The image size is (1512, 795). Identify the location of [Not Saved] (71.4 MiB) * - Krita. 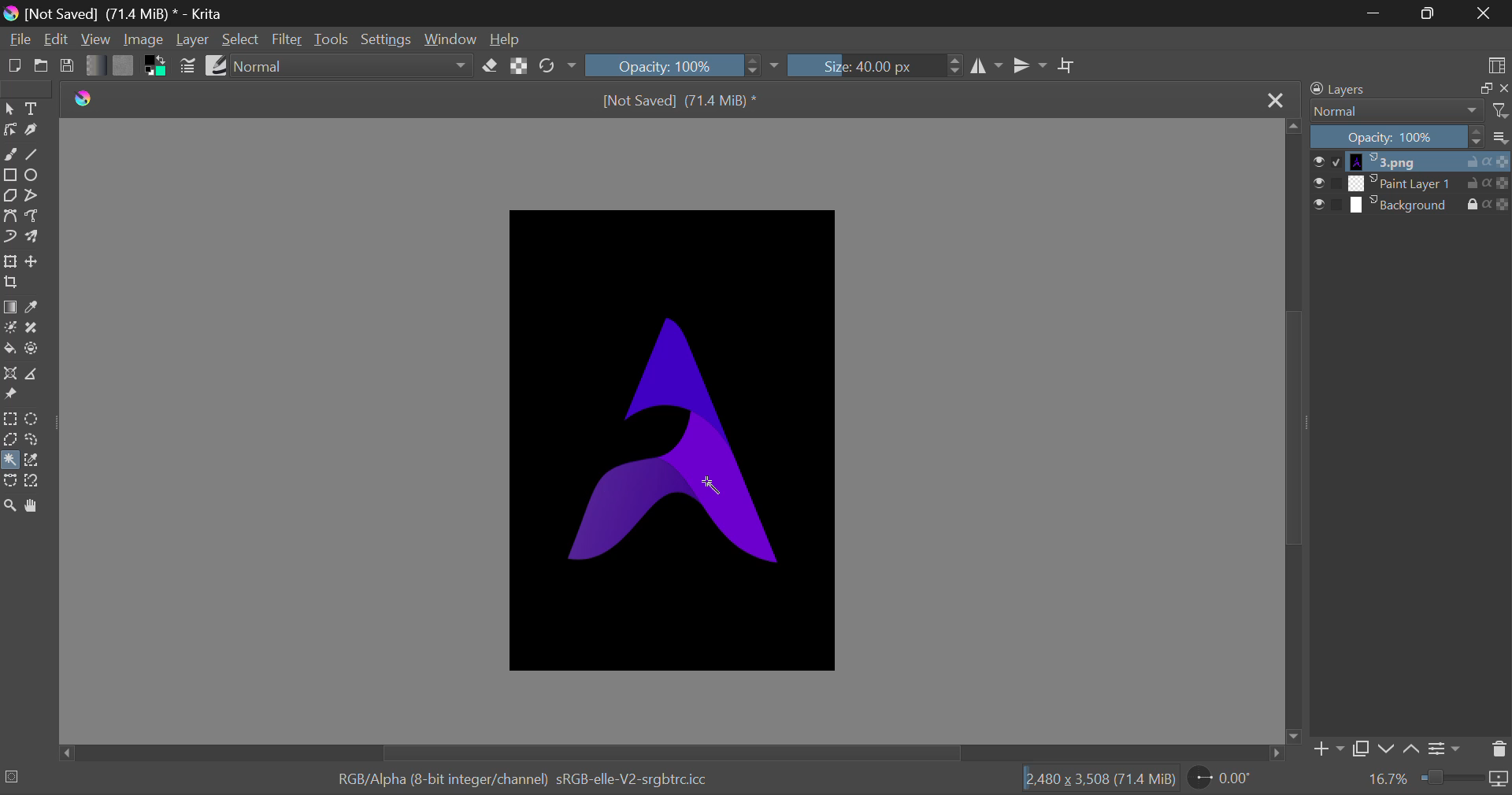
(126, 13).